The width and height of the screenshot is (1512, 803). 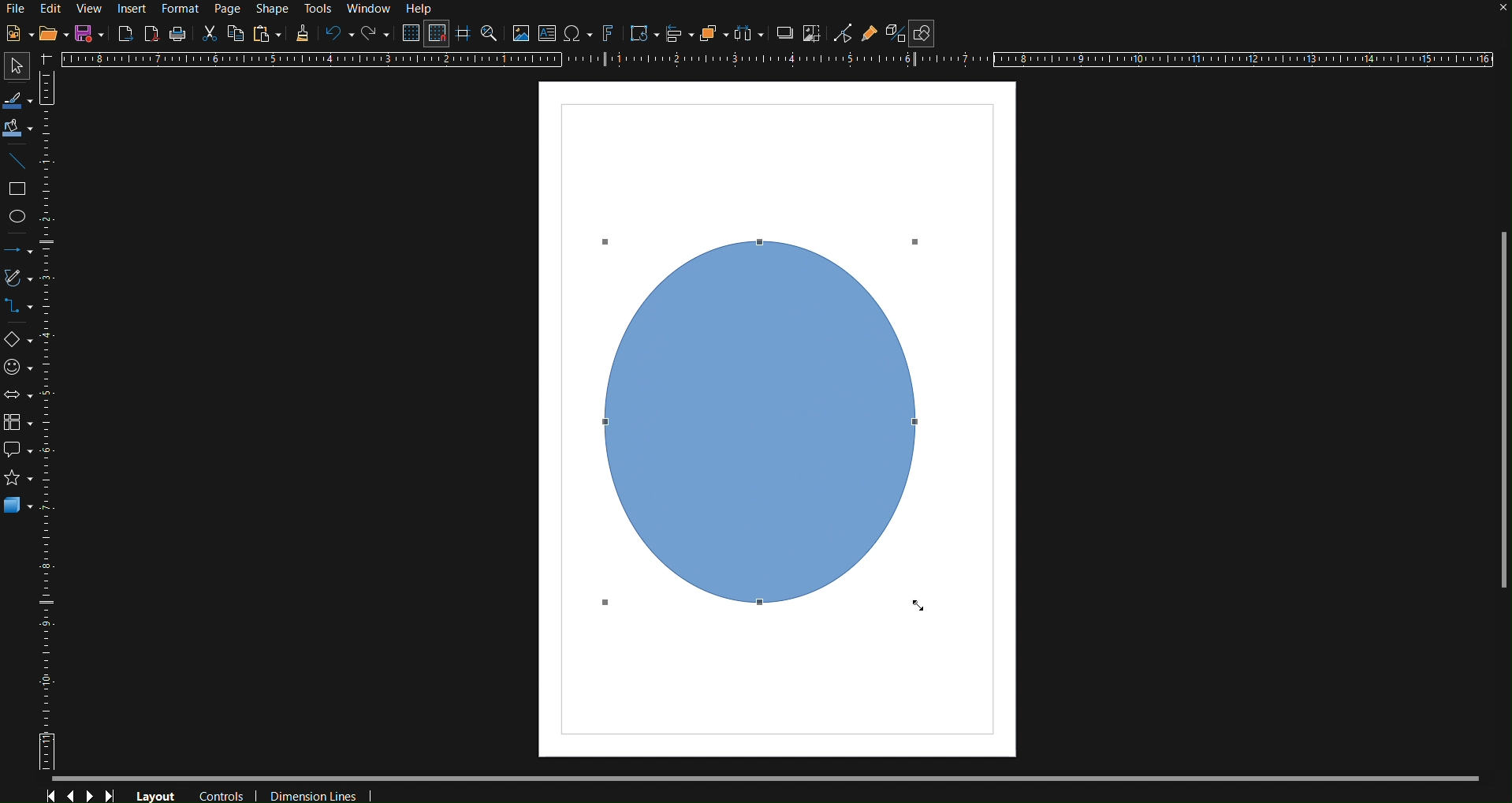 I want to click on Copy Formatting, so click(x=303, y=34).